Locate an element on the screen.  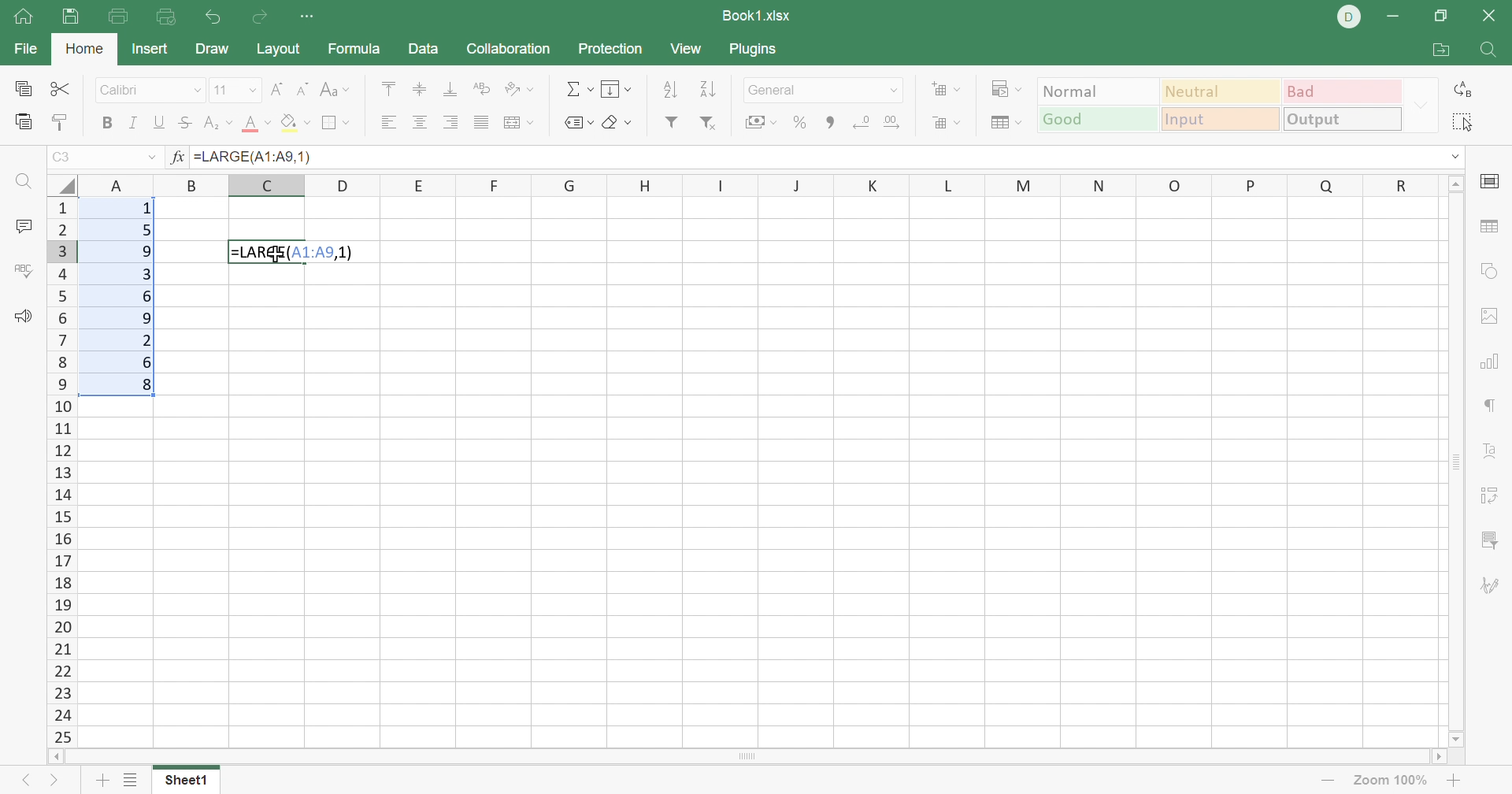
Increment font size is located at coordinates (276, 91).